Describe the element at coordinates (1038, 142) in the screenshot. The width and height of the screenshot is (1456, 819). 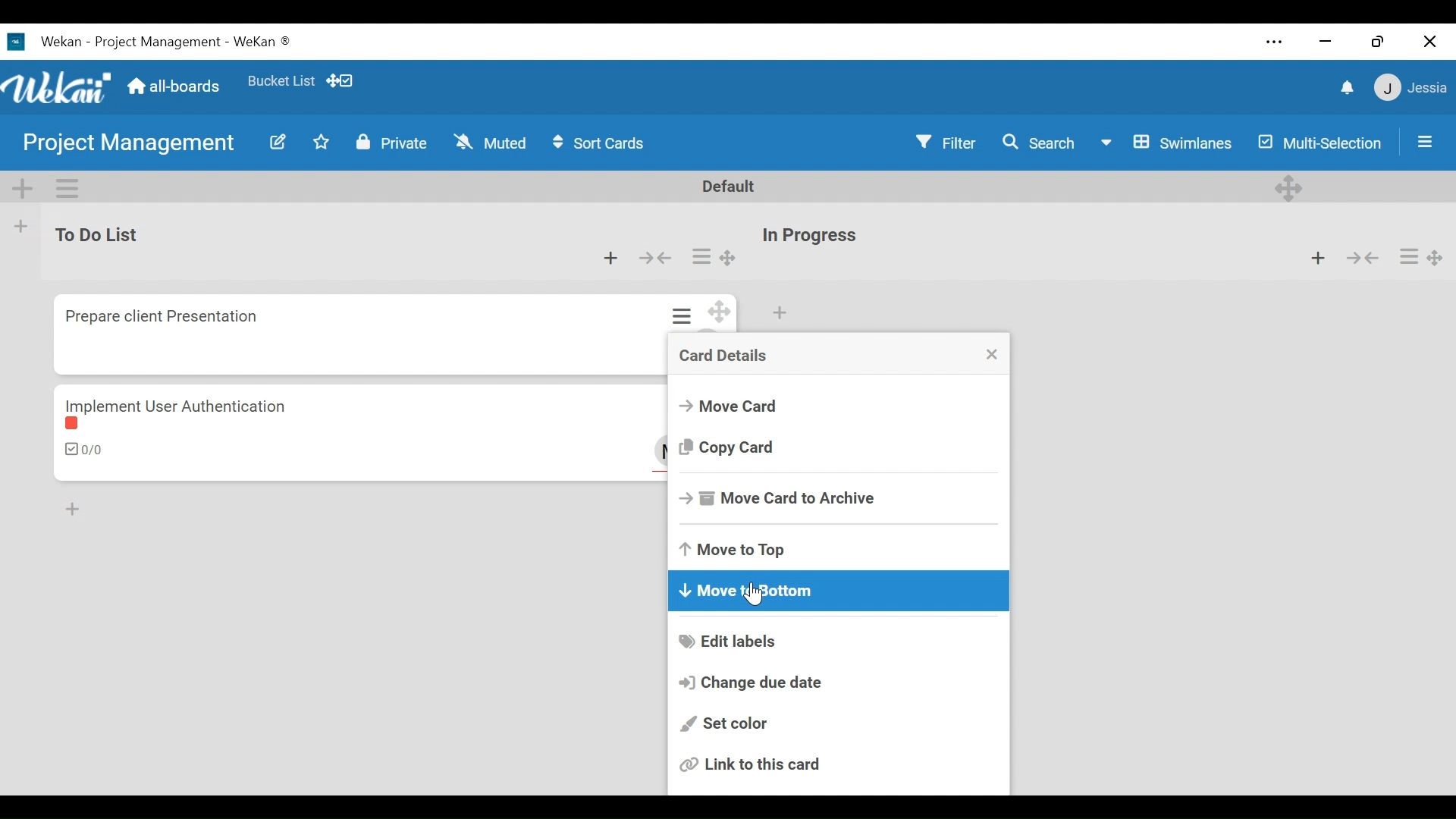
I see `Search` at that location.